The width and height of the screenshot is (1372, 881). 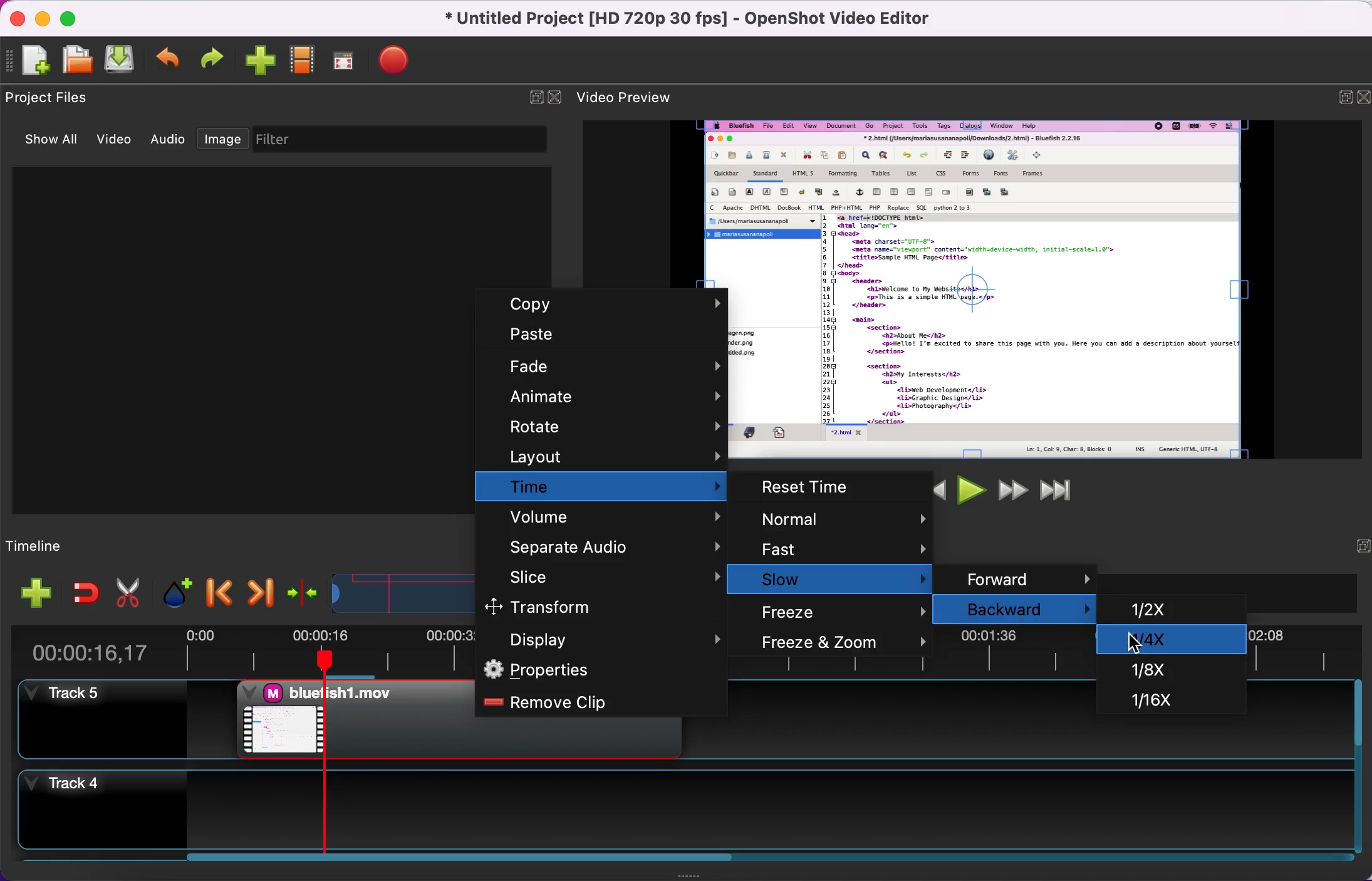 What do you see at coordinates (1172, 640) in the screenshot?
I see `1/4x selected` at bounding box center [1172, 640].